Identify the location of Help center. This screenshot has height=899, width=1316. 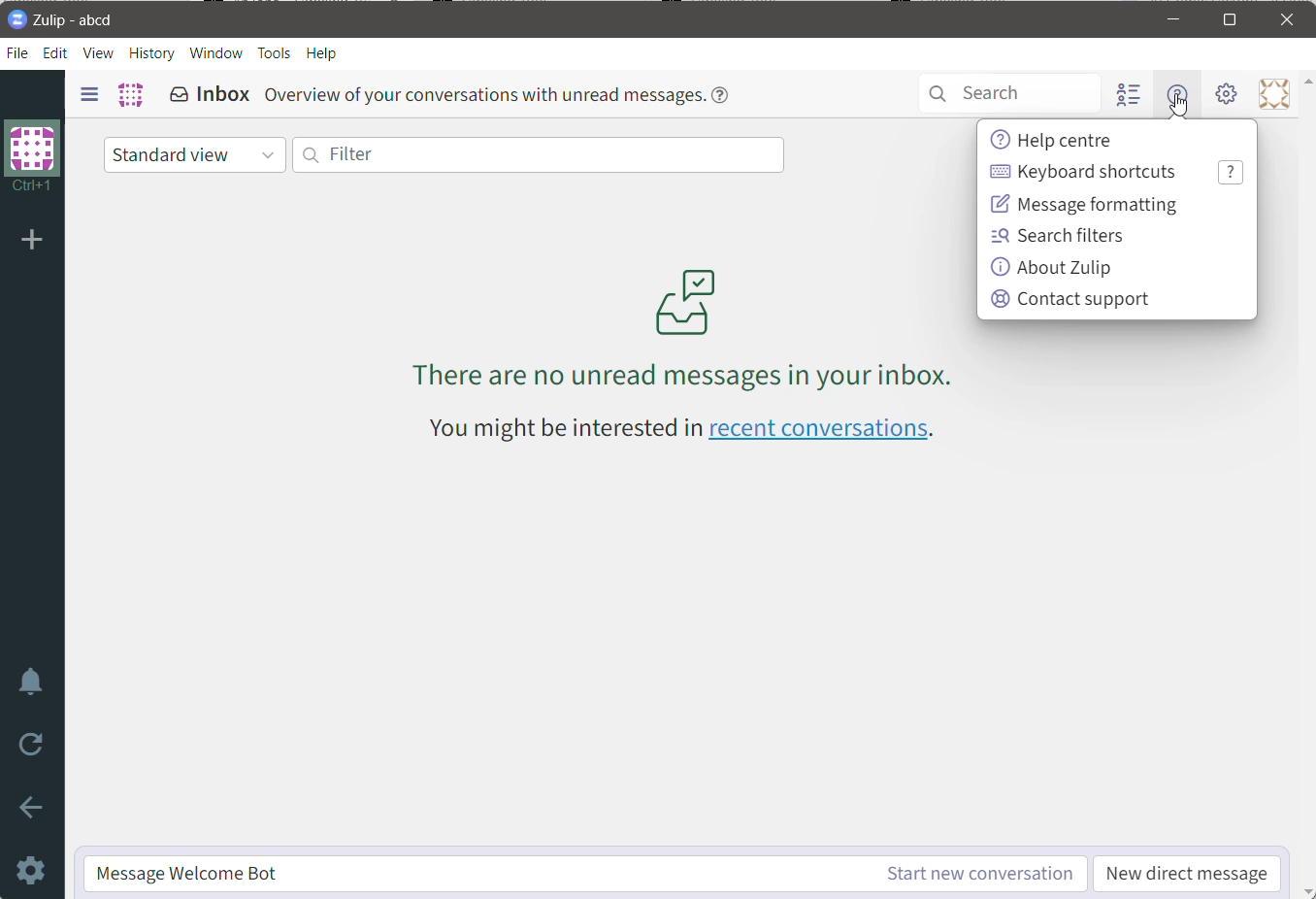
(1057, 140).